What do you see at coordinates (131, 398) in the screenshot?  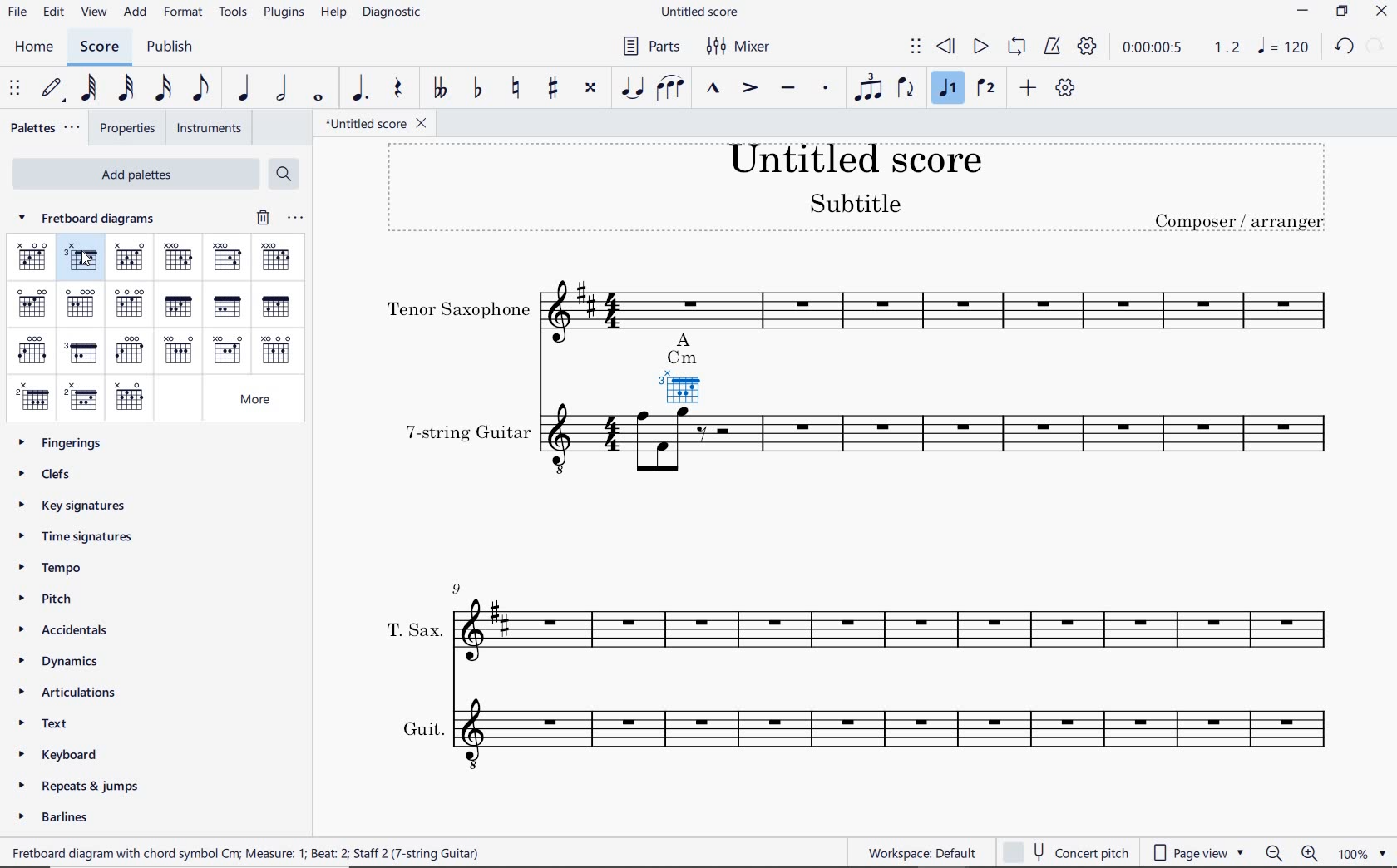 I see `B7` at bounding box center [131, 398].